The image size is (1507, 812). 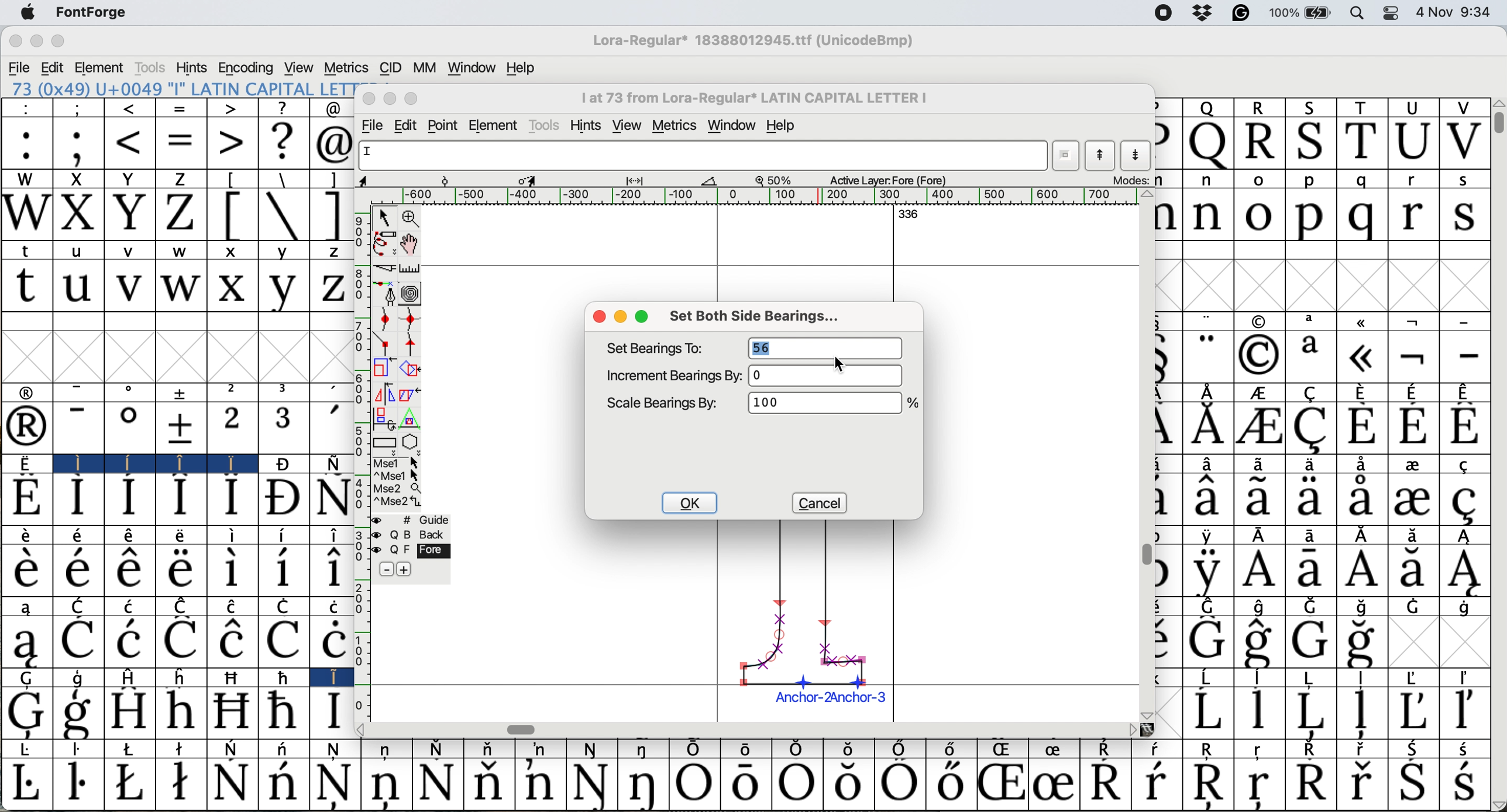 I want to click on Symbol, so click(x=229, y=782).